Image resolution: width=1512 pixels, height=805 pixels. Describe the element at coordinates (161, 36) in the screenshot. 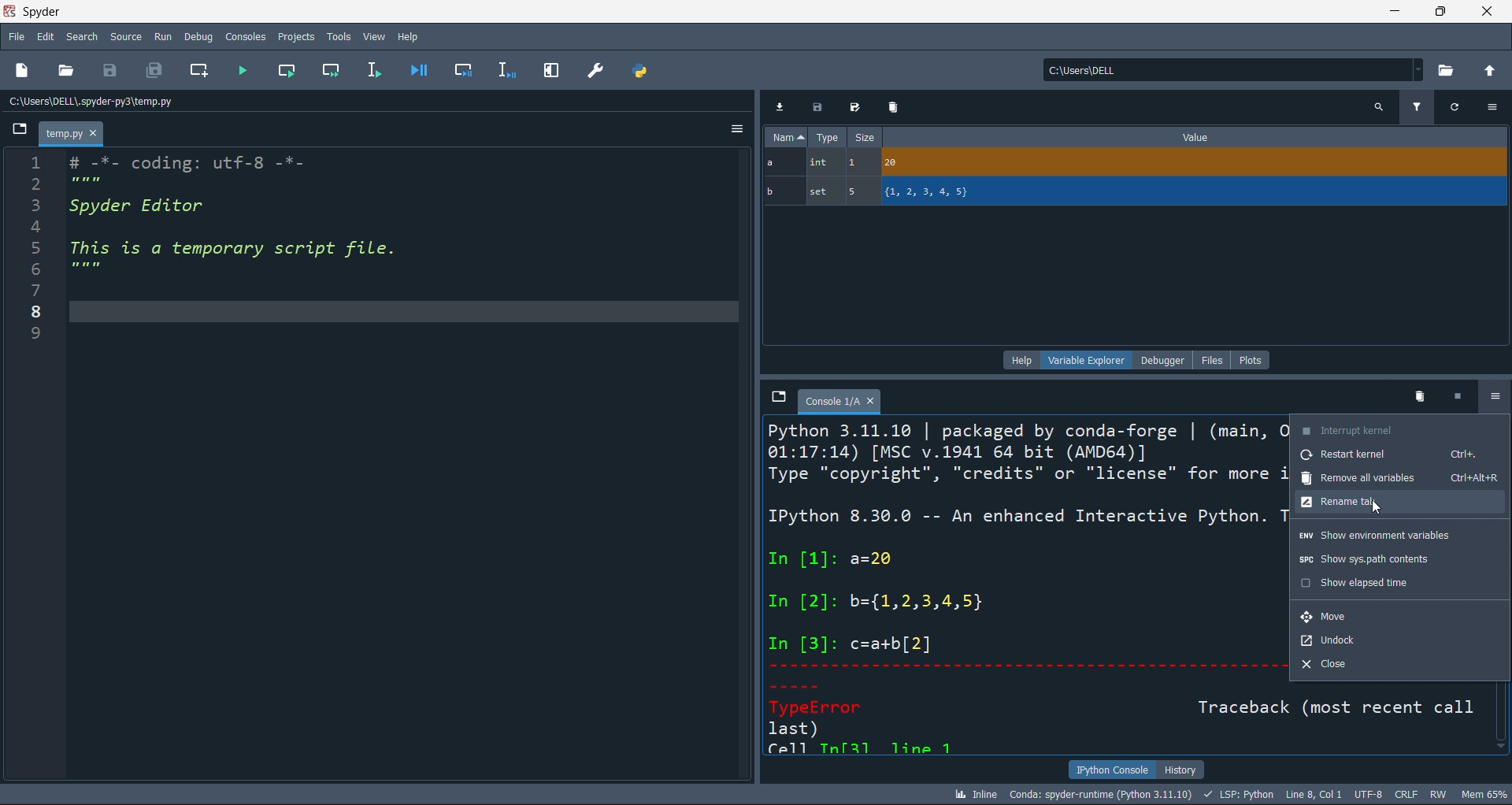

I see `run` at that location.